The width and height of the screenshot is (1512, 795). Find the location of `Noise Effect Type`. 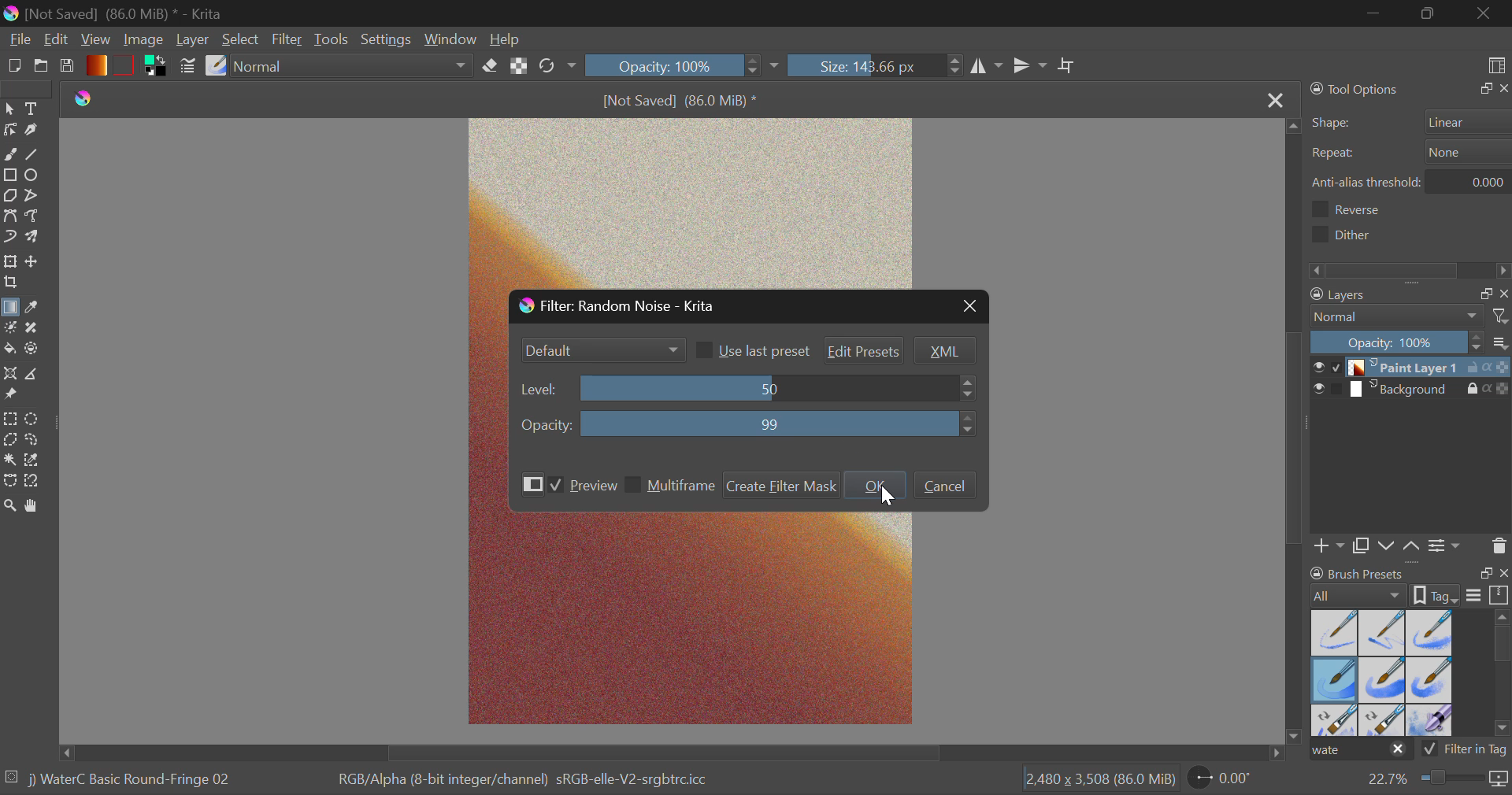

Noise Effect Type is located at coordinates (604, 351).